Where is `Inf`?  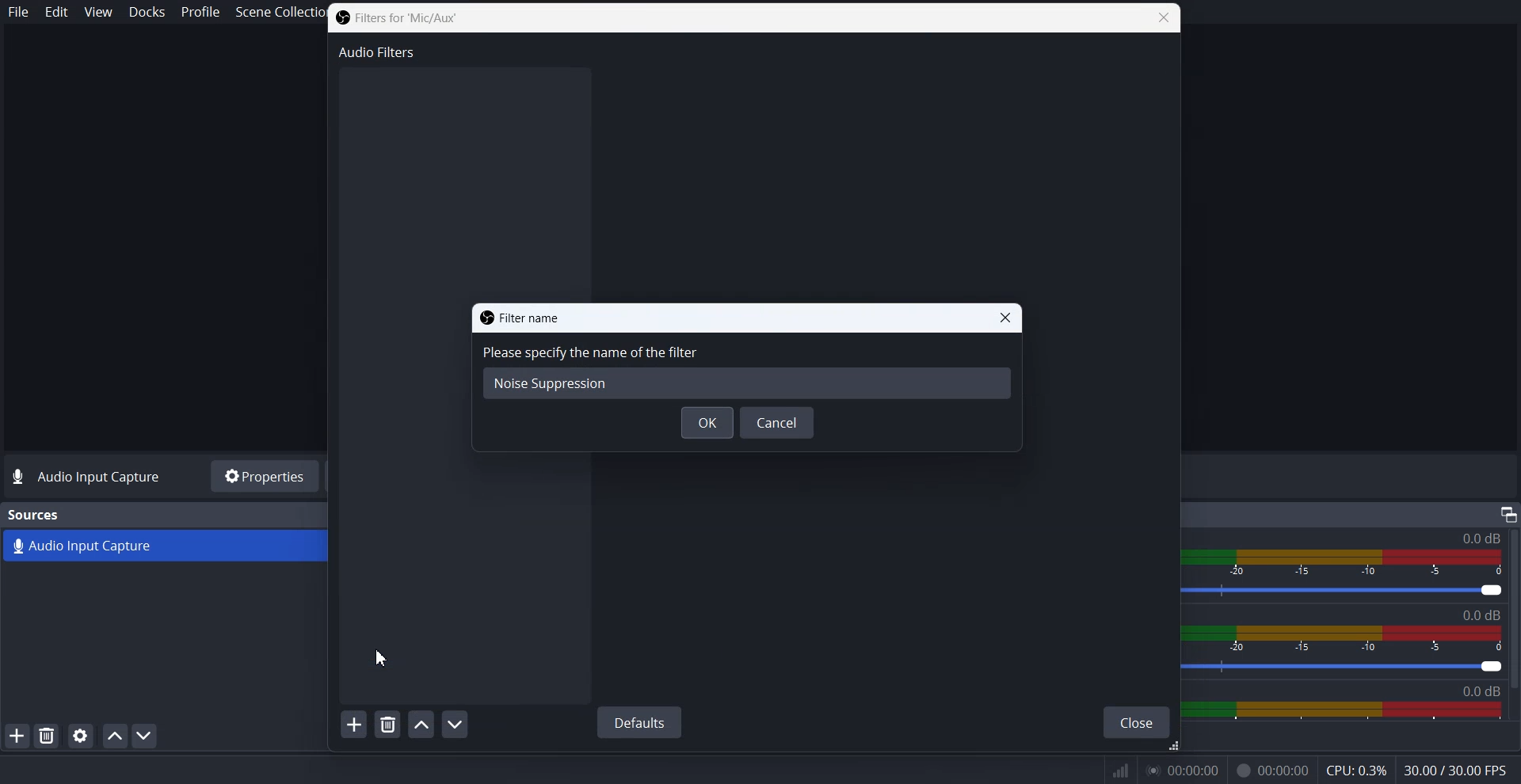
Inf is located at coordinates (1121, 771).